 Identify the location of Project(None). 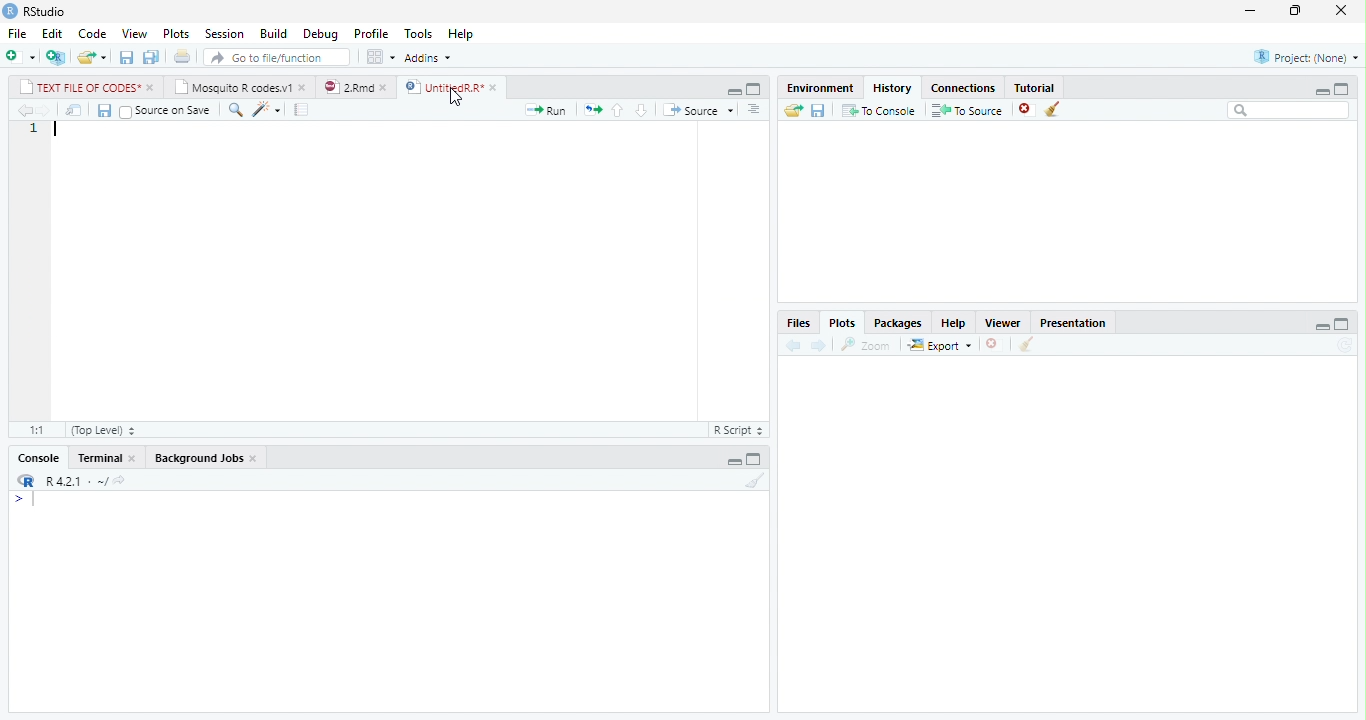
(1307, 57).